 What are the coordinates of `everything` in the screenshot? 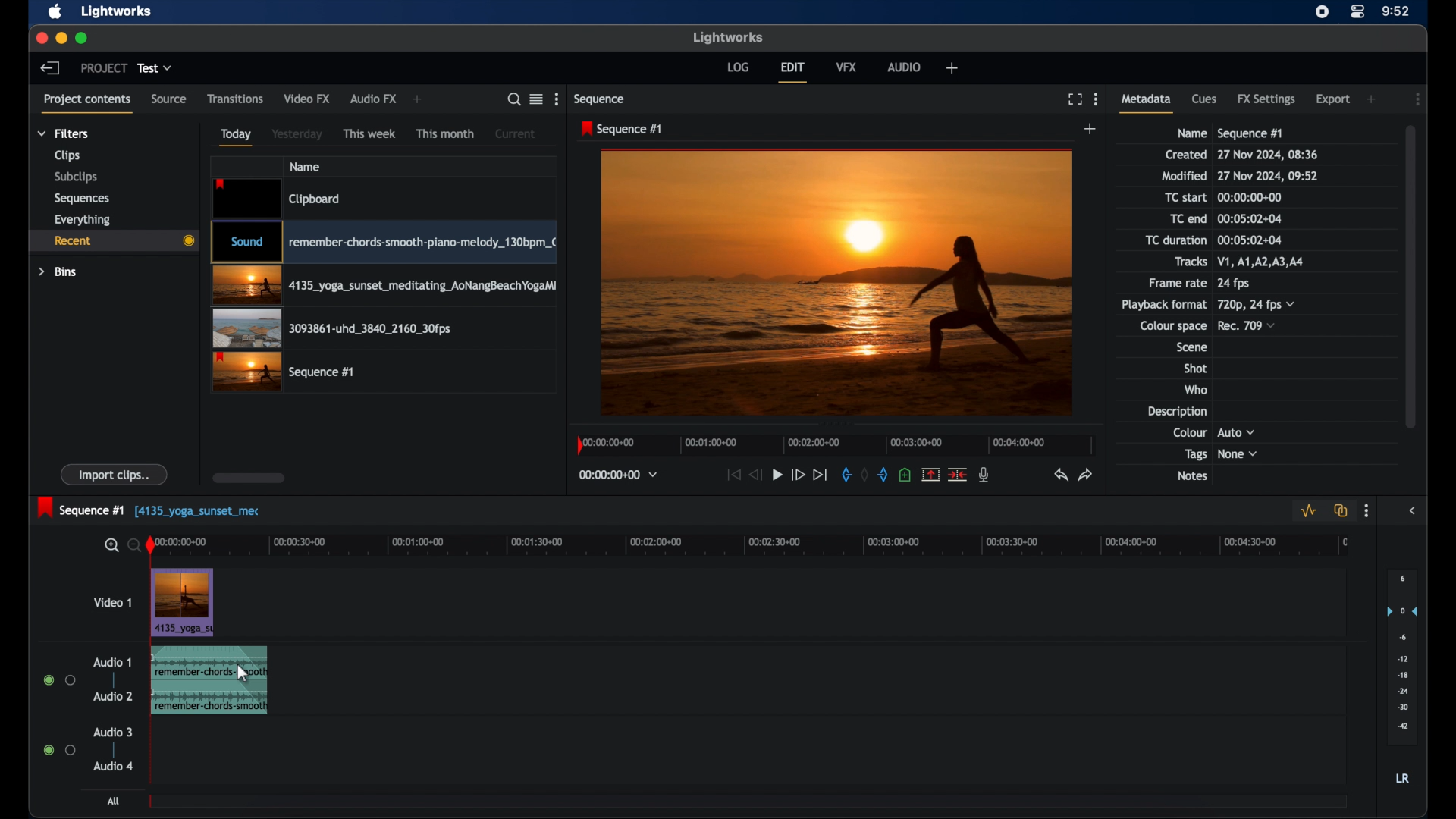 It's located at (82, 220).